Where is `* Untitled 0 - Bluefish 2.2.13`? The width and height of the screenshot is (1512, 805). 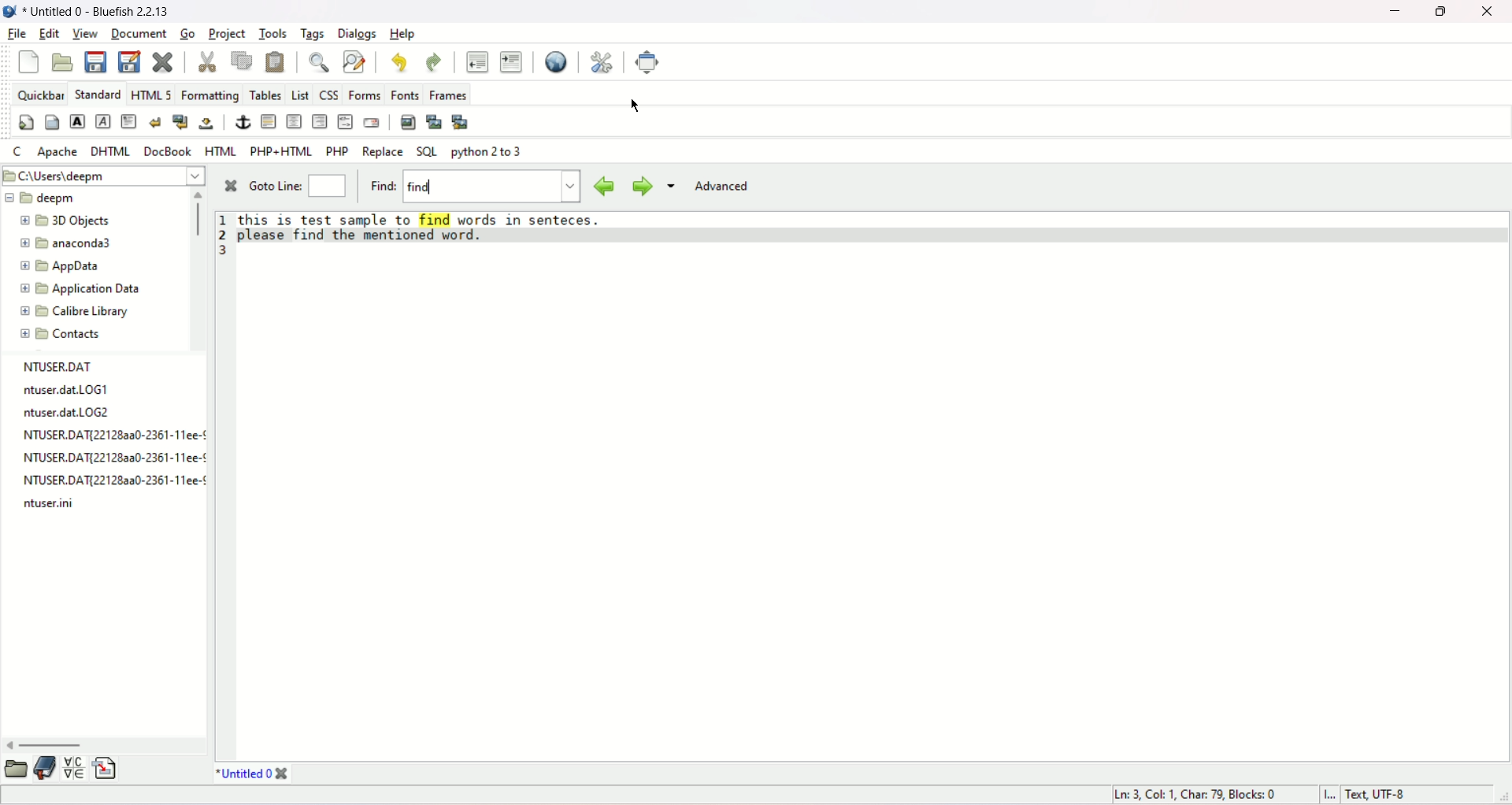
* Untitled 0 - Bluefish 2.2.13 is located at coordinates (98, 10).